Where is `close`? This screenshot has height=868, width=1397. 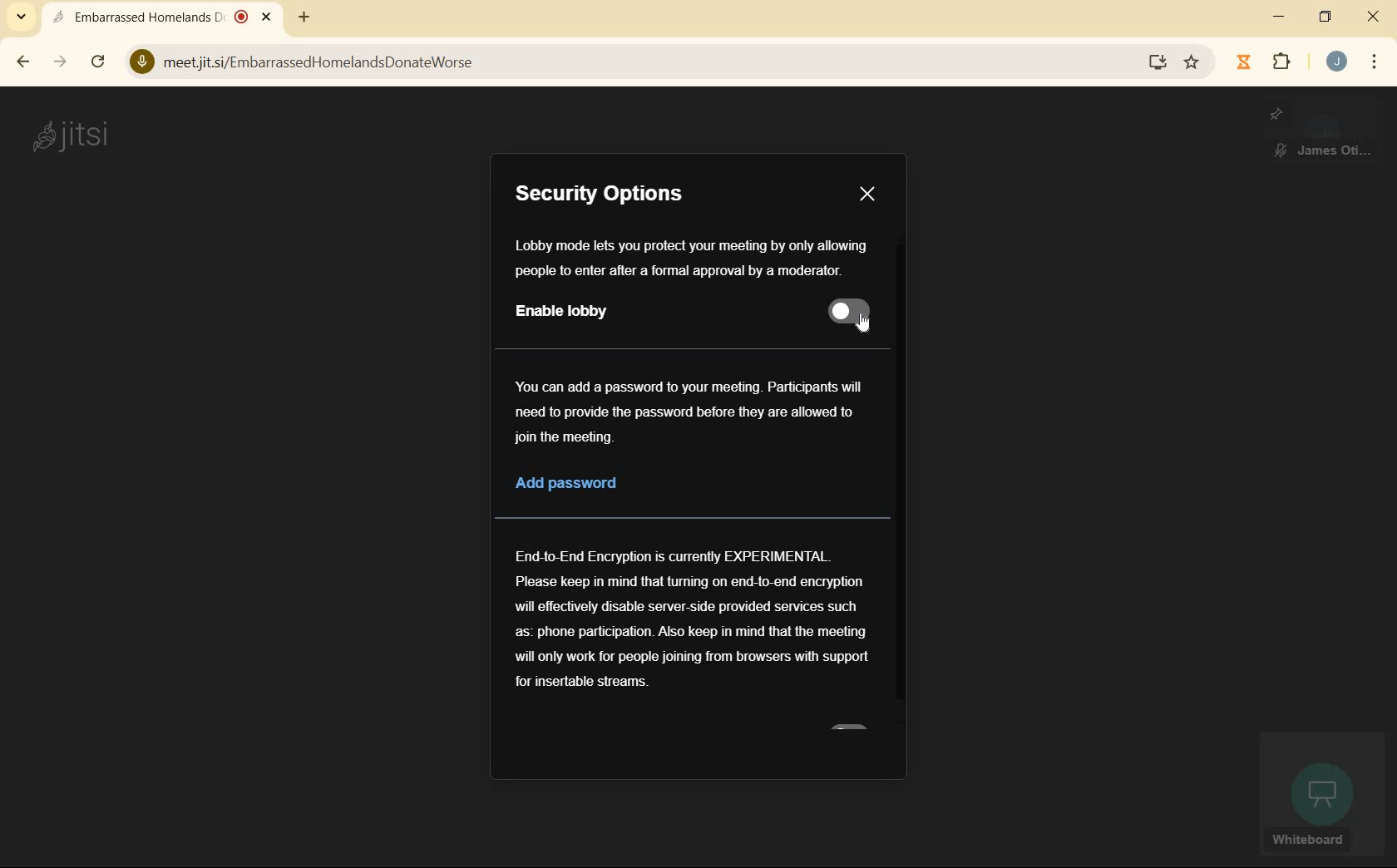
close is located at coordinates (1374, 17).